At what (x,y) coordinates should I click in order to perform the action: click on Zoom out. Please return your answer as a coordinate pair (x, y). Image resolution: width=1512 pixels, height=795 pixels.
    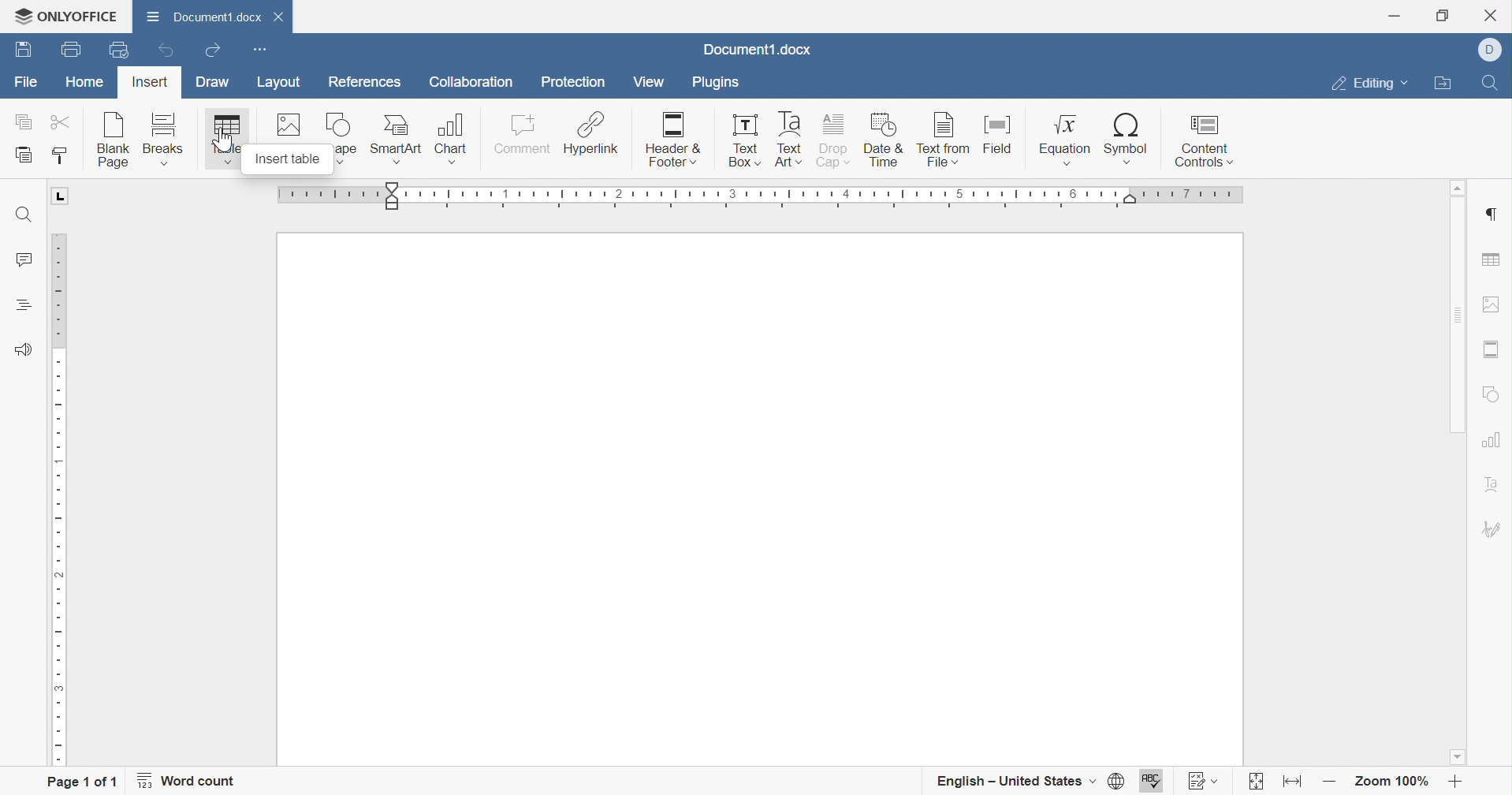
    Looking at the image, I should click on (1328, 781).